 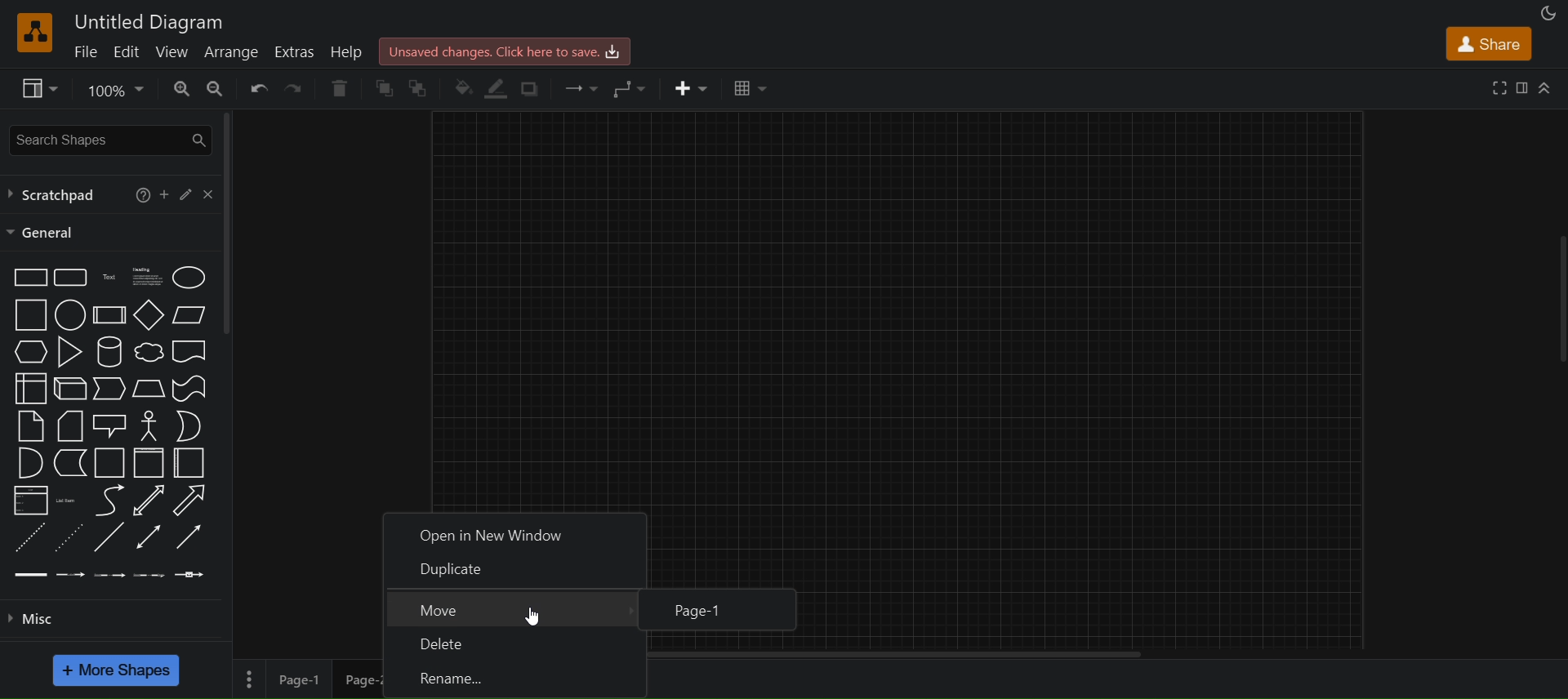 What do you see at coordinates (512, 607) in the screenshot?
I see `move` at bounding box center [512, 607].